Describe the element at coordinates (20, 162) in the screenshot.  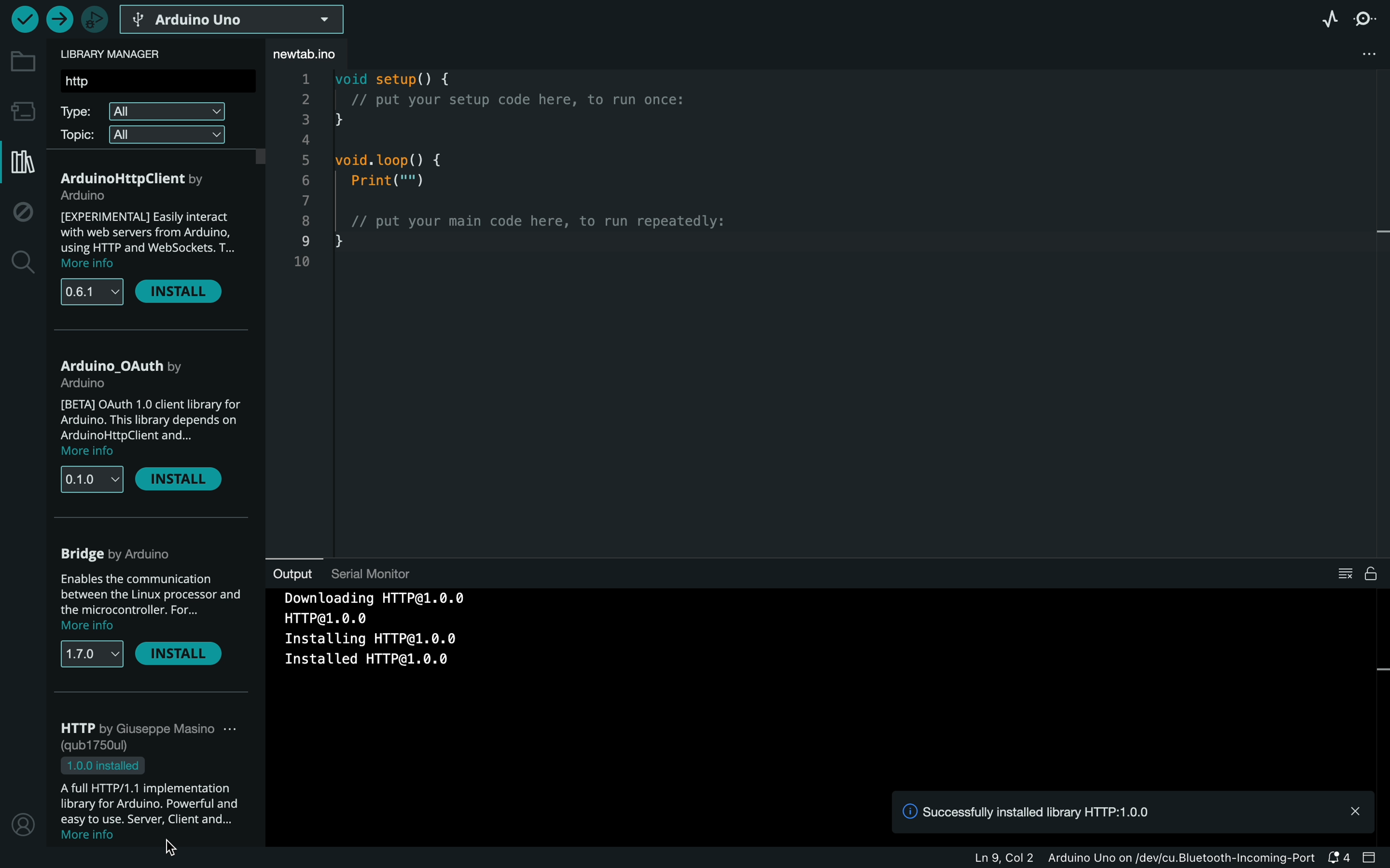
I see `library manager` at that location.